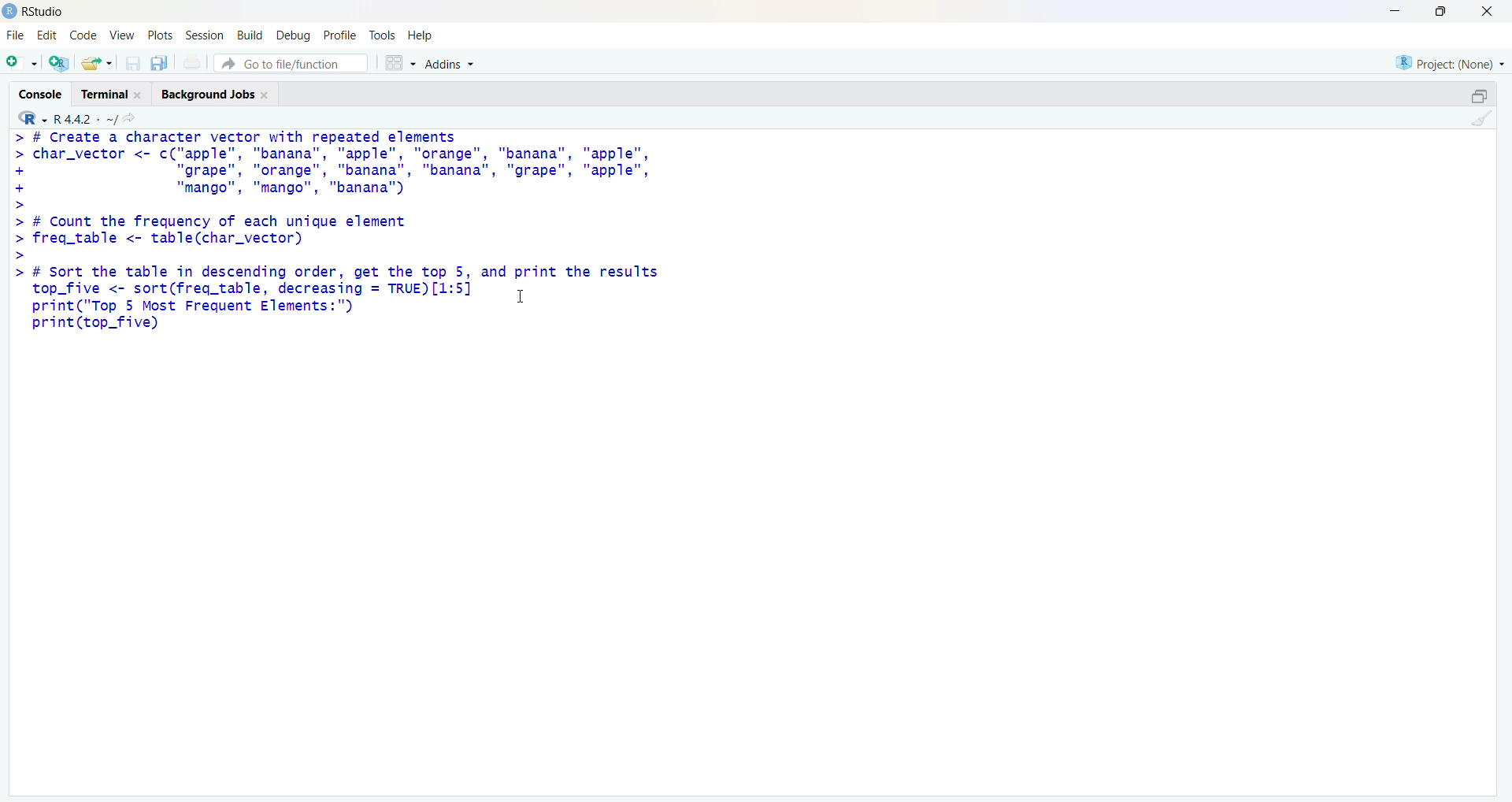  I want to click on Tools, so click(382, 35).